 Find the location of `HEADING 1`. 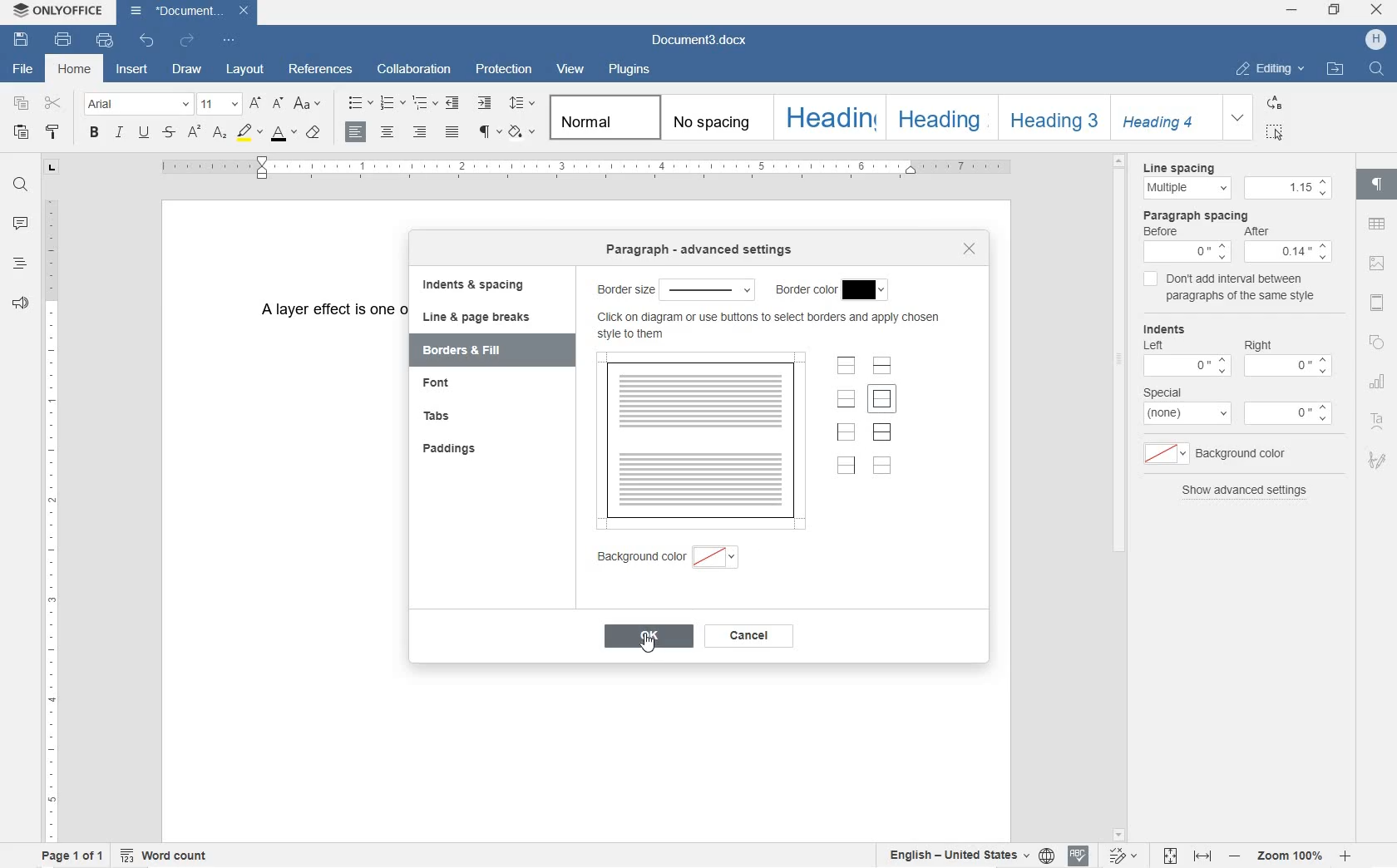

HEADING 1 is located at coordinates (827, 116).